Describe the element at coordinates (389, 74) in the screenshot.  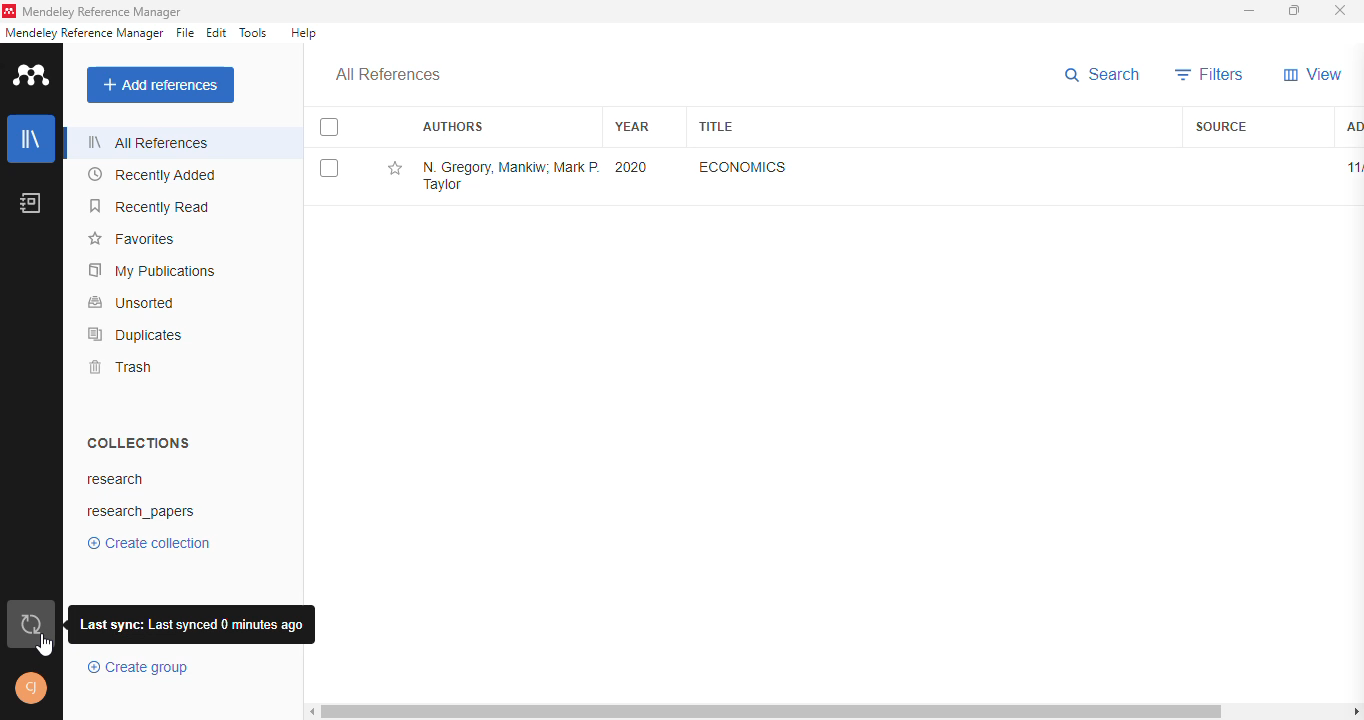
I see `all references` at that location.